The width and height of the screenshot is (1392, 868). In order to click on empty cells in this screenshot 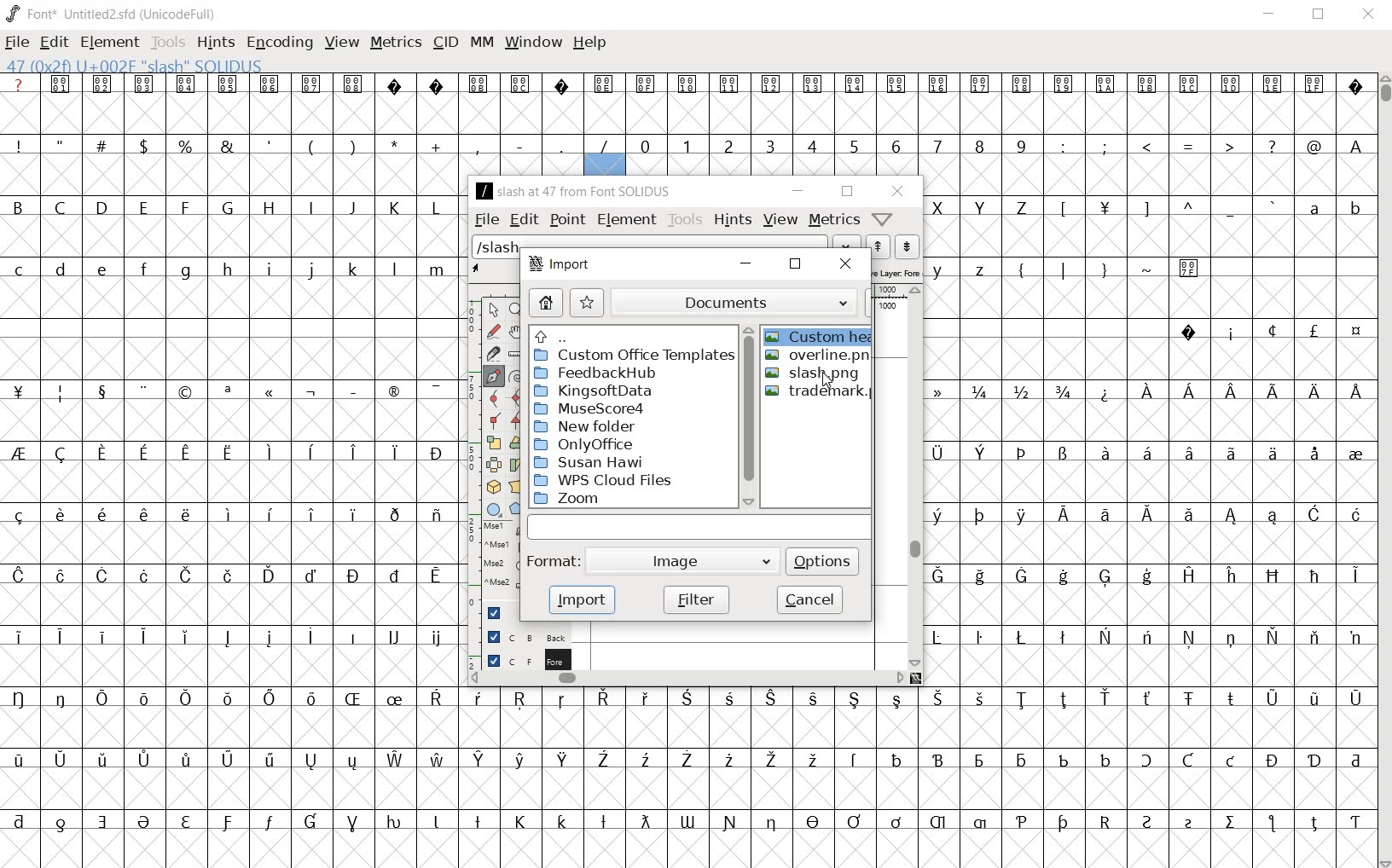, I will do `click(230, 298)`.